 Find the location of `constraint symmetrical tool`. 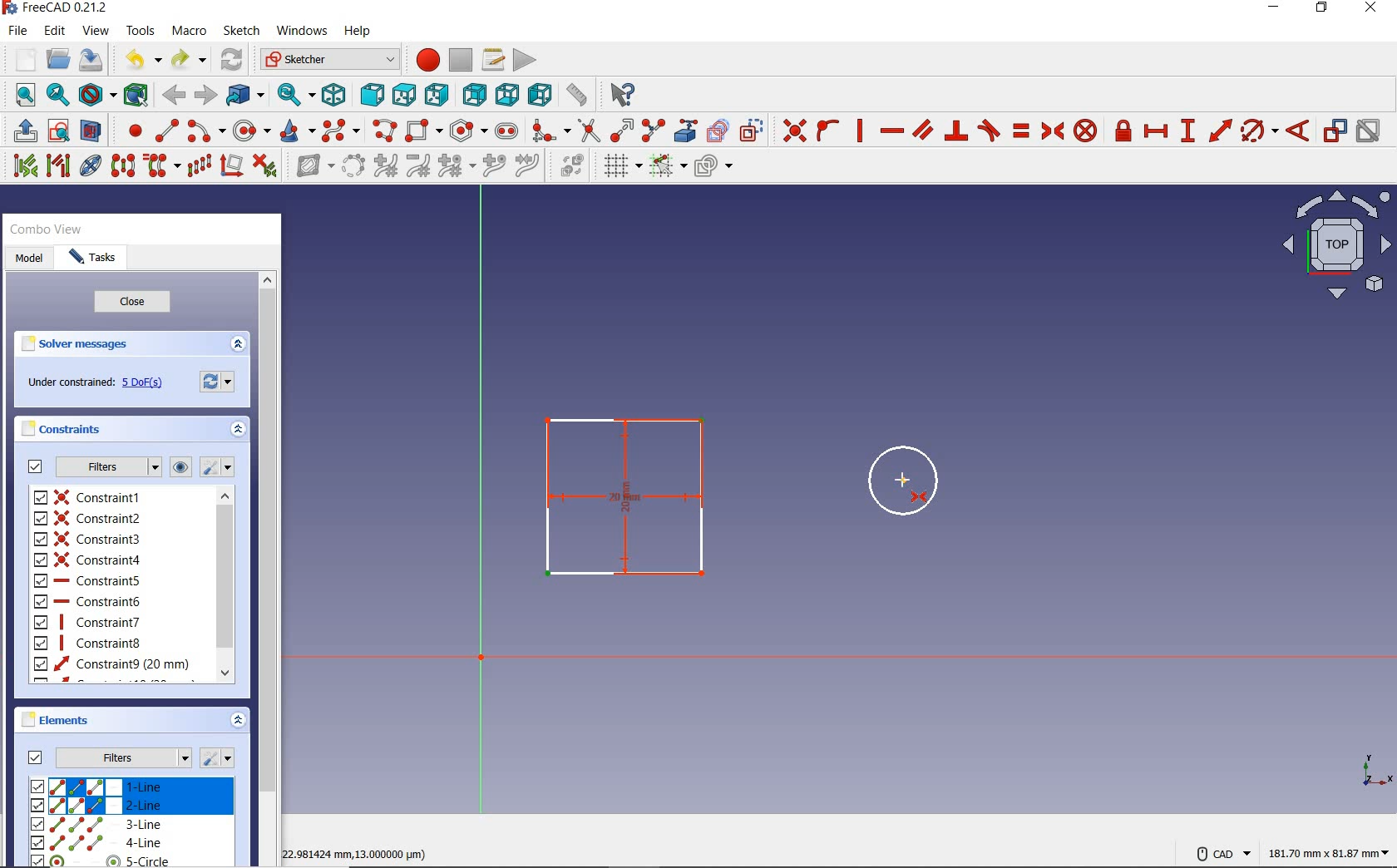

constraint symmetrical tool is located at coordinates (920, 496).